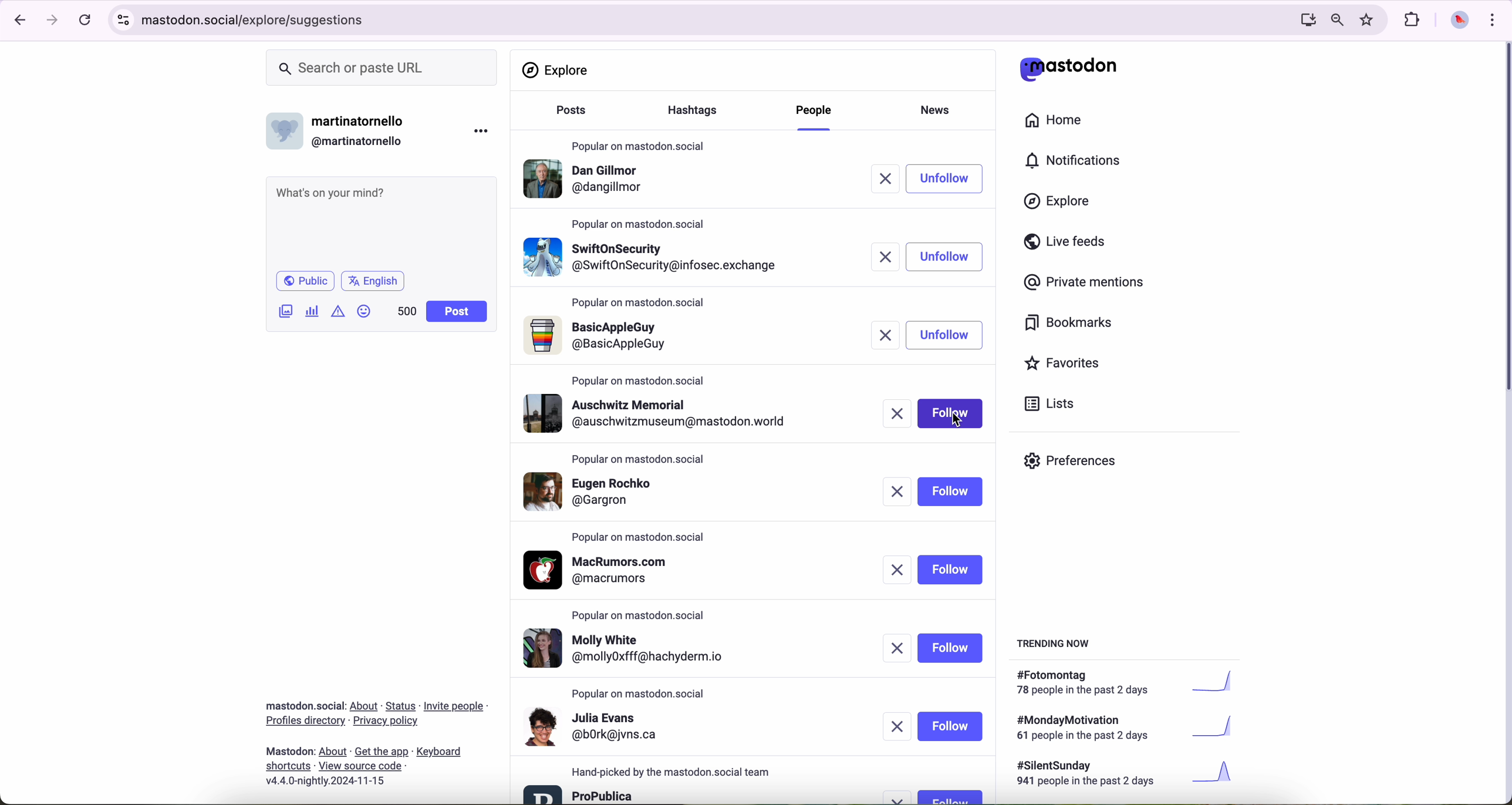 The height and width of the screenshot is (805, 1512). What do you see at coordinates (1060, 123) in the screenshot?
I see `home` at bounding box center [1060, 123].